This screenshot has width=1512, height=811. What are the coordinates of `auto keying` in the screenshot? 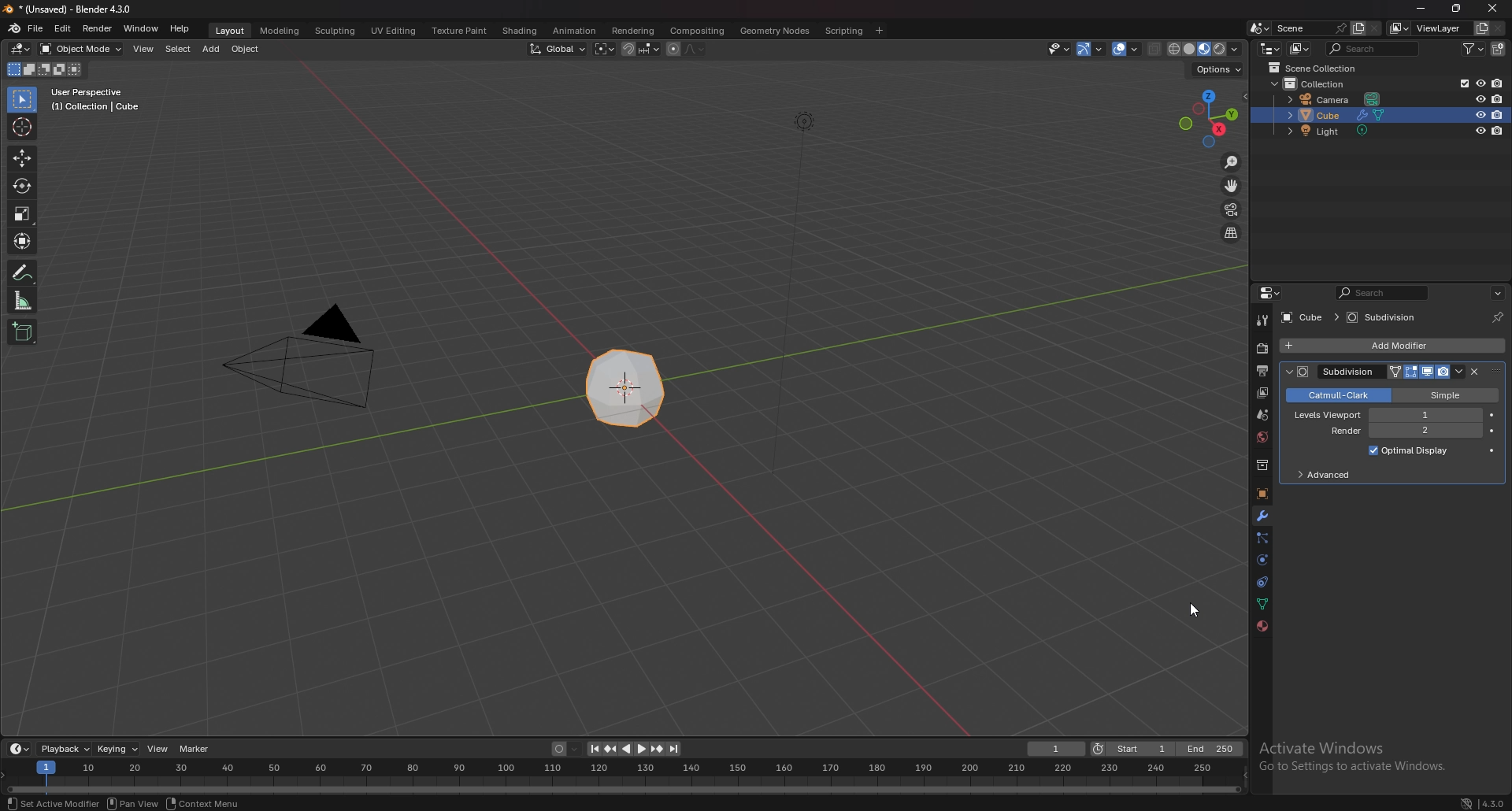 It's located at (566, 750).